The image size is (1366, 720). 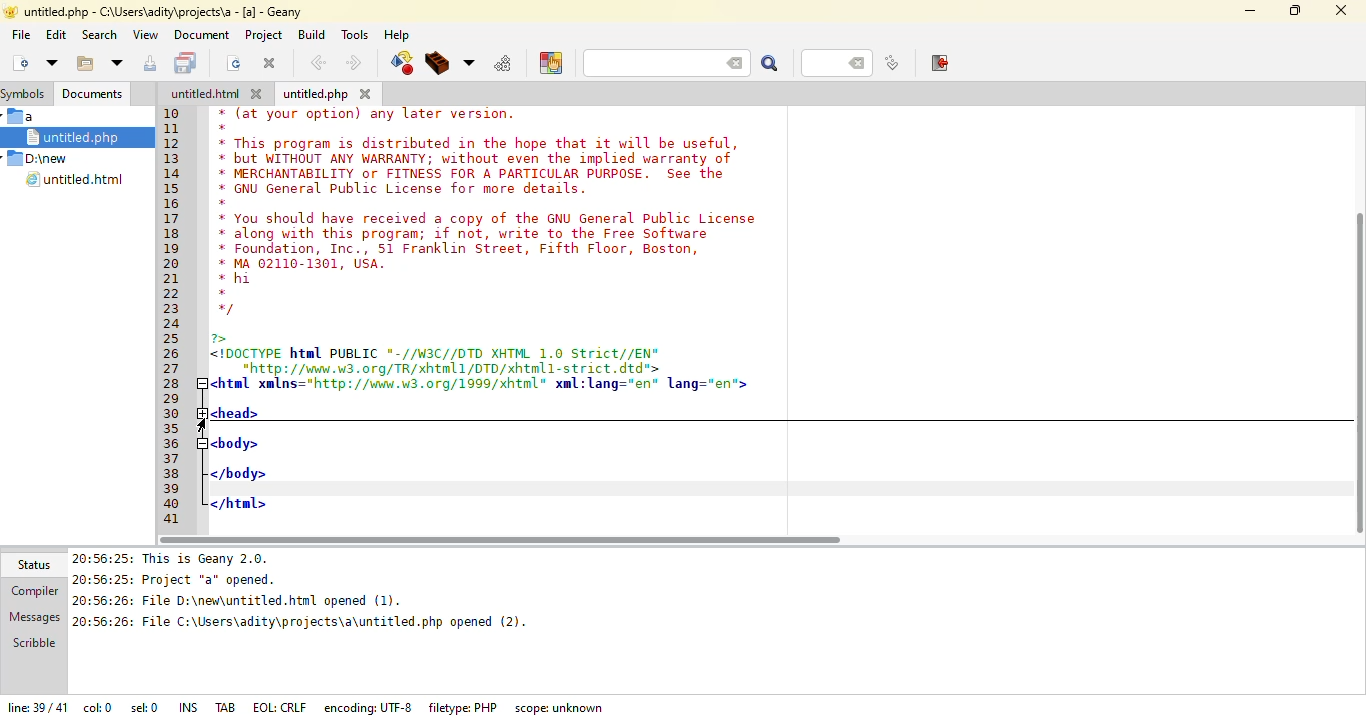 I want to click on exit, so click(x=941, y=64).